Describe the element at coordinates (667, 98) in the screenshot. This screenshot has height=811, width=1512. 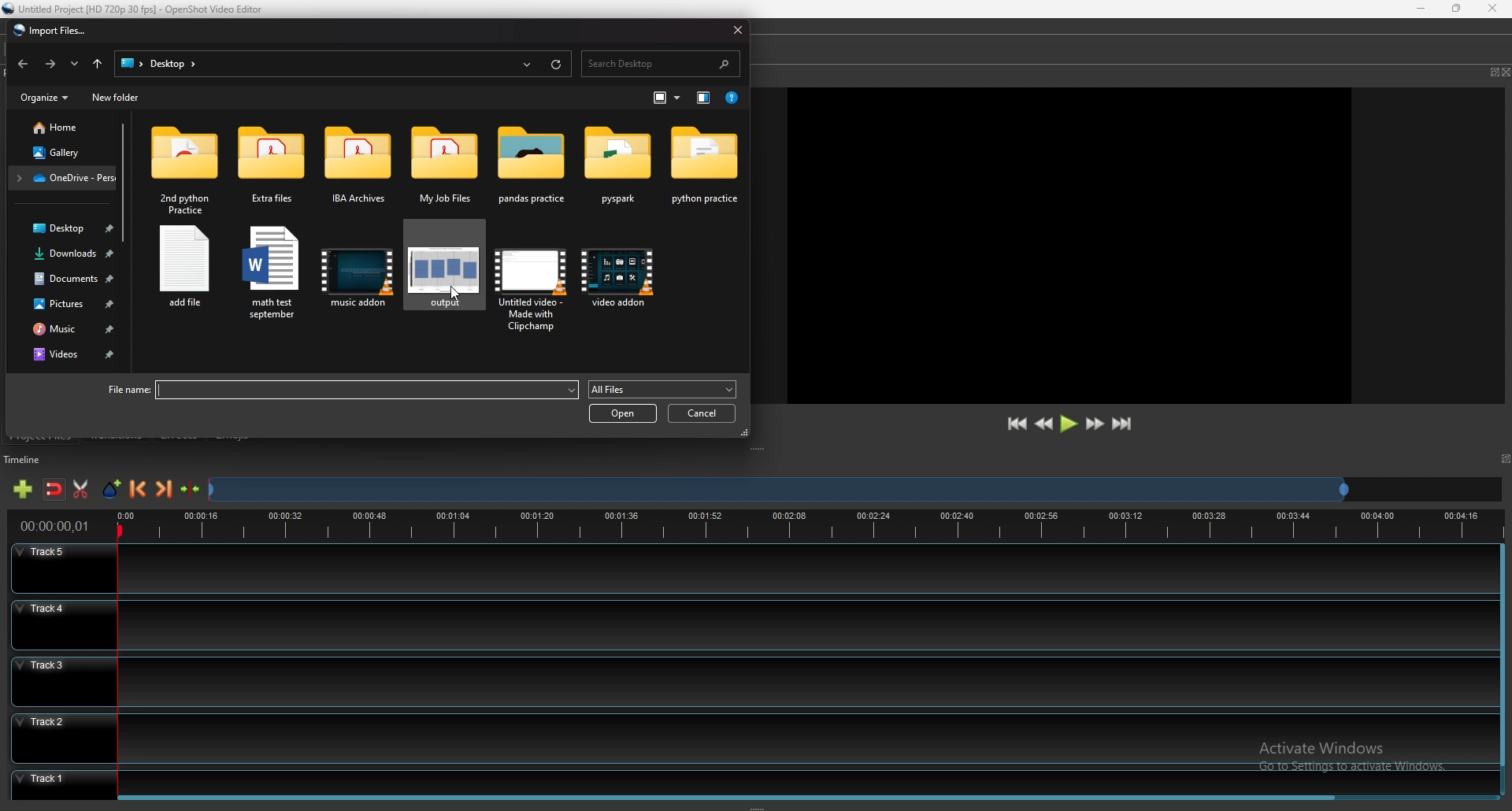
I see `change view` at that location.